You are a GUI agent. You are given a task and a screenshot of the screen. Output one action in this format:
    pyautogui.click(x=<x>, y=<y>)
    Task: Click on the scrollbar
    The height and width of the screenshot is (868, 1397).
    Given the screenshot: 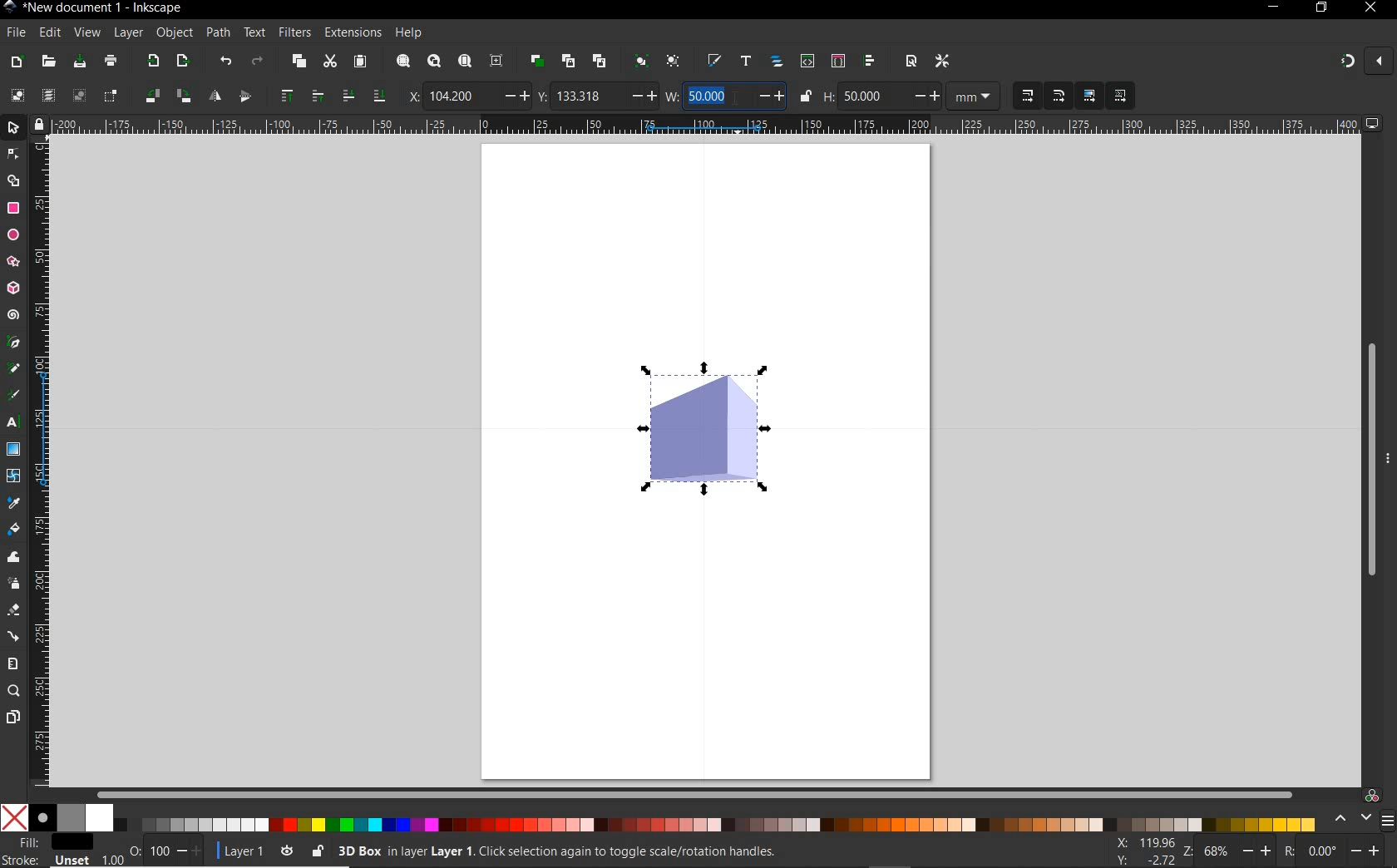 What is the action you would take?
    pyautogui.click(x=1368, y=458)
    